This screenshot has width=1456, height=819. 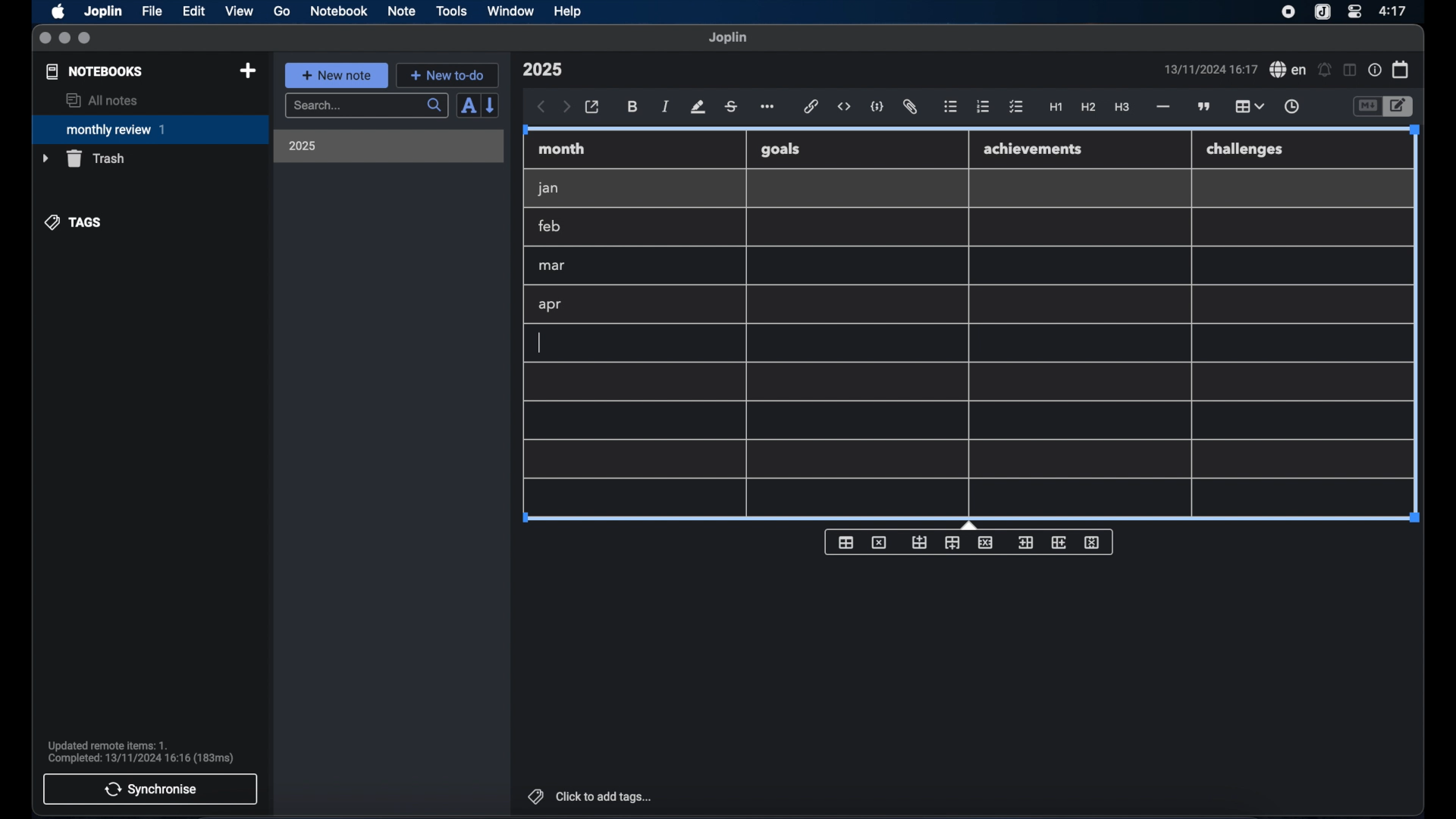 I want to click on check  list, so click(x=1016, y=108).